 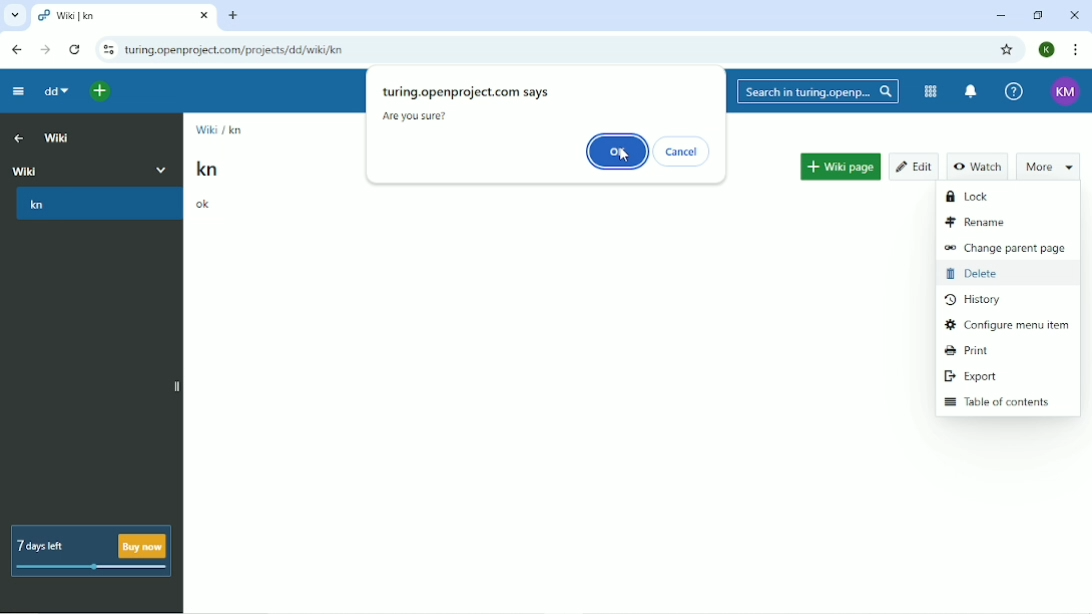 What do you see at coordinates (208, 169) in the screenshot?
I see `kn` at bounding box center [208, 169].